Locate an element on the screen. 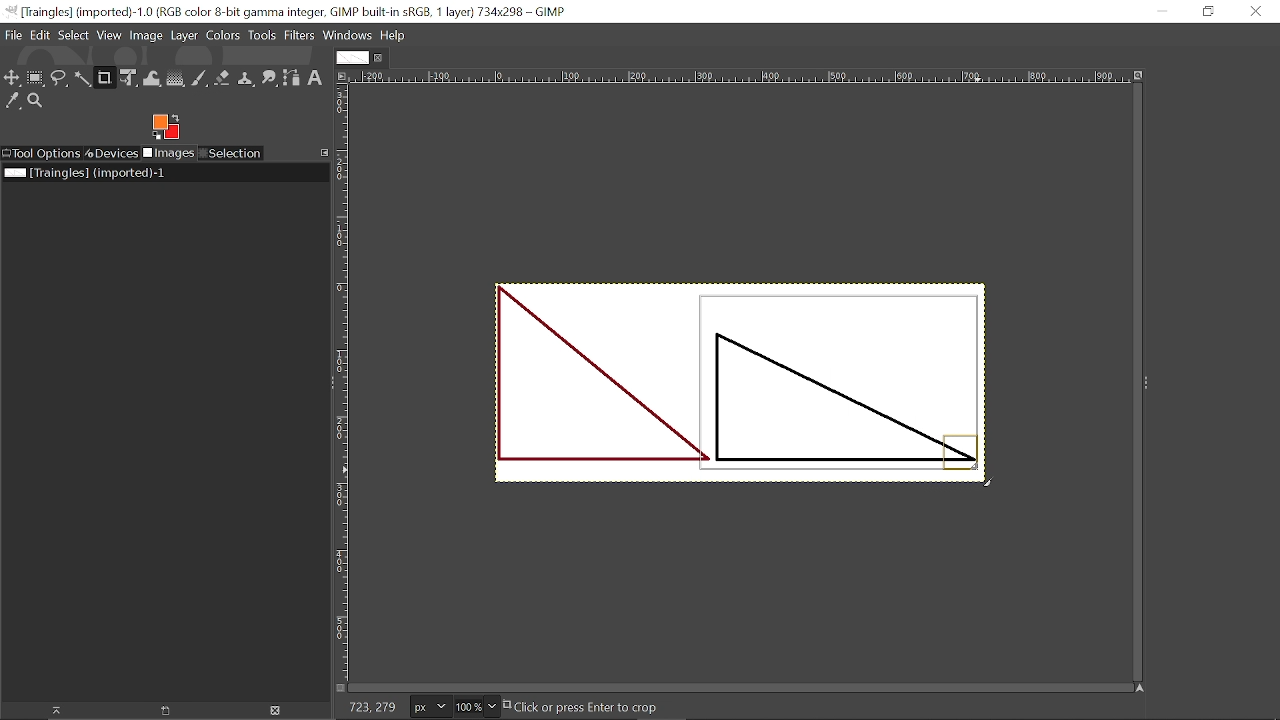 This screenshot has height=720, width=1280. File is located at coordinates (15, 35).